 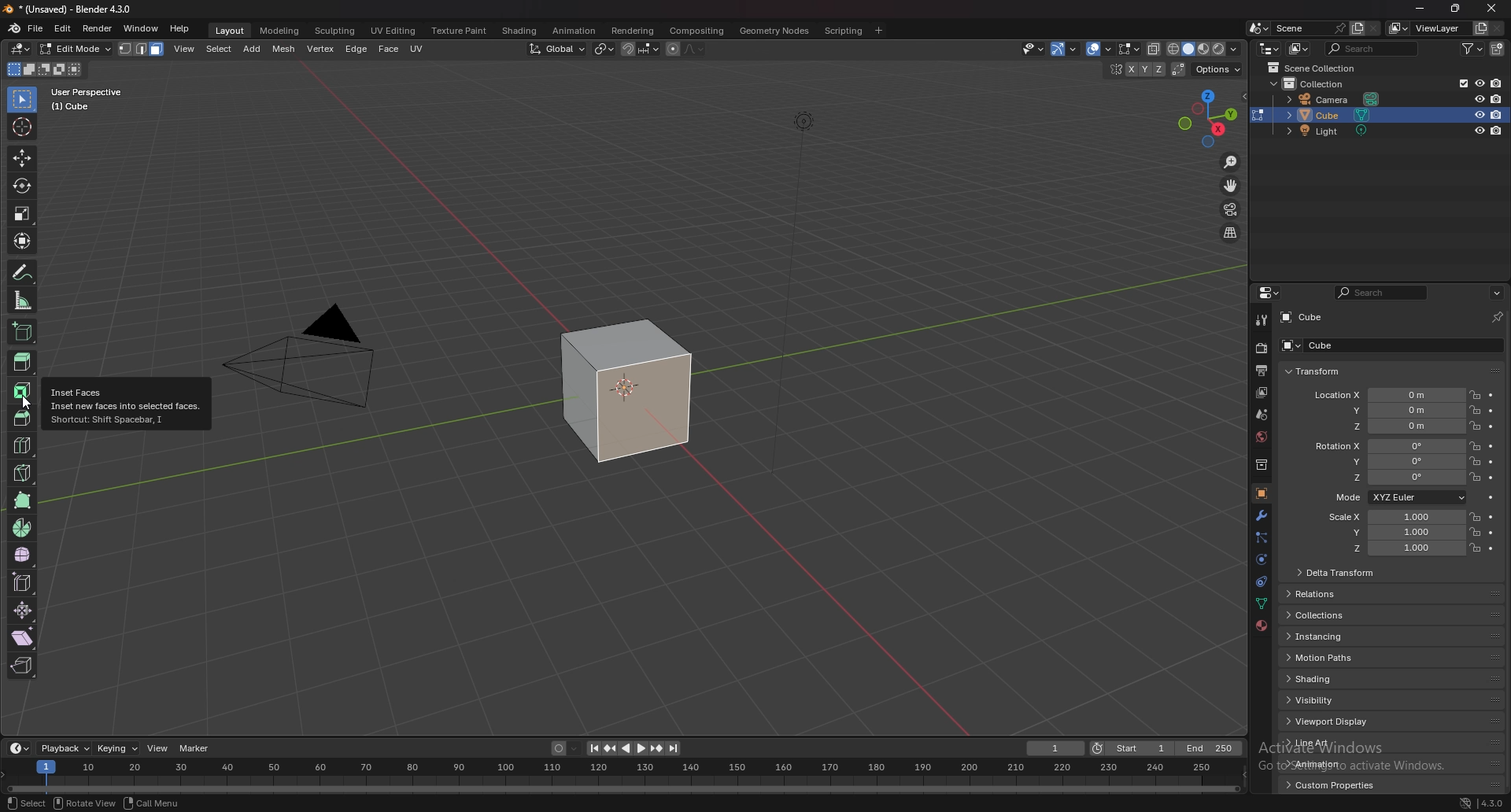 What do you see at coordinates (1491, 533) in the screenshot?
I see `animate property` at bounding box center [1491, 533].